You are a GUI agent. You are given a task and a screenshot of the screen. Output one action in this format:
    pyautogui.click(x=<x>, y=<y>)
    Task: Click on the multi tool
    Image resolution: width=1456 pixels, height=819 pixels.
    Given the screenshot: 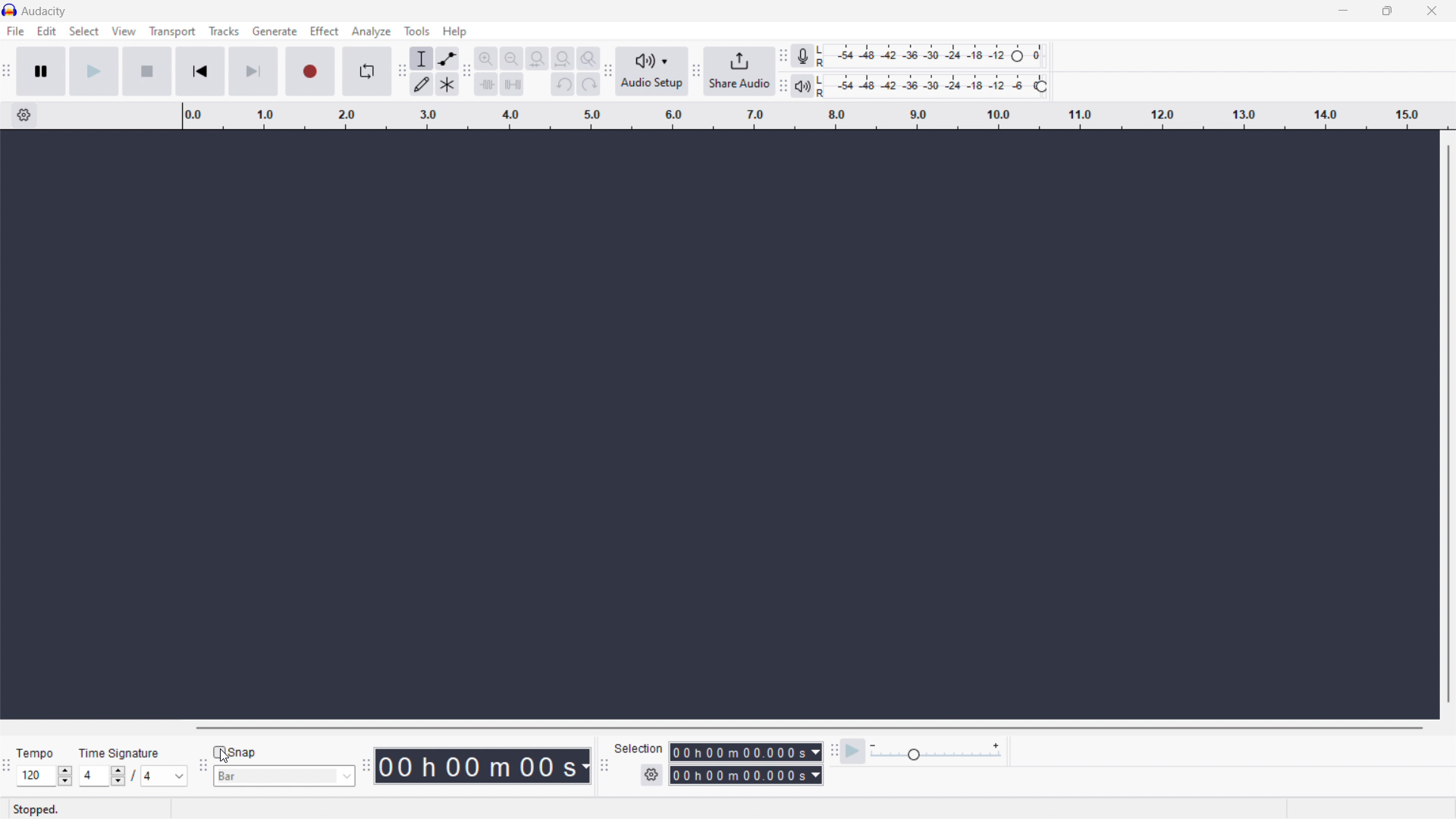 What is the action you would take?
    pyautogui.click(x=447, y=85)
    